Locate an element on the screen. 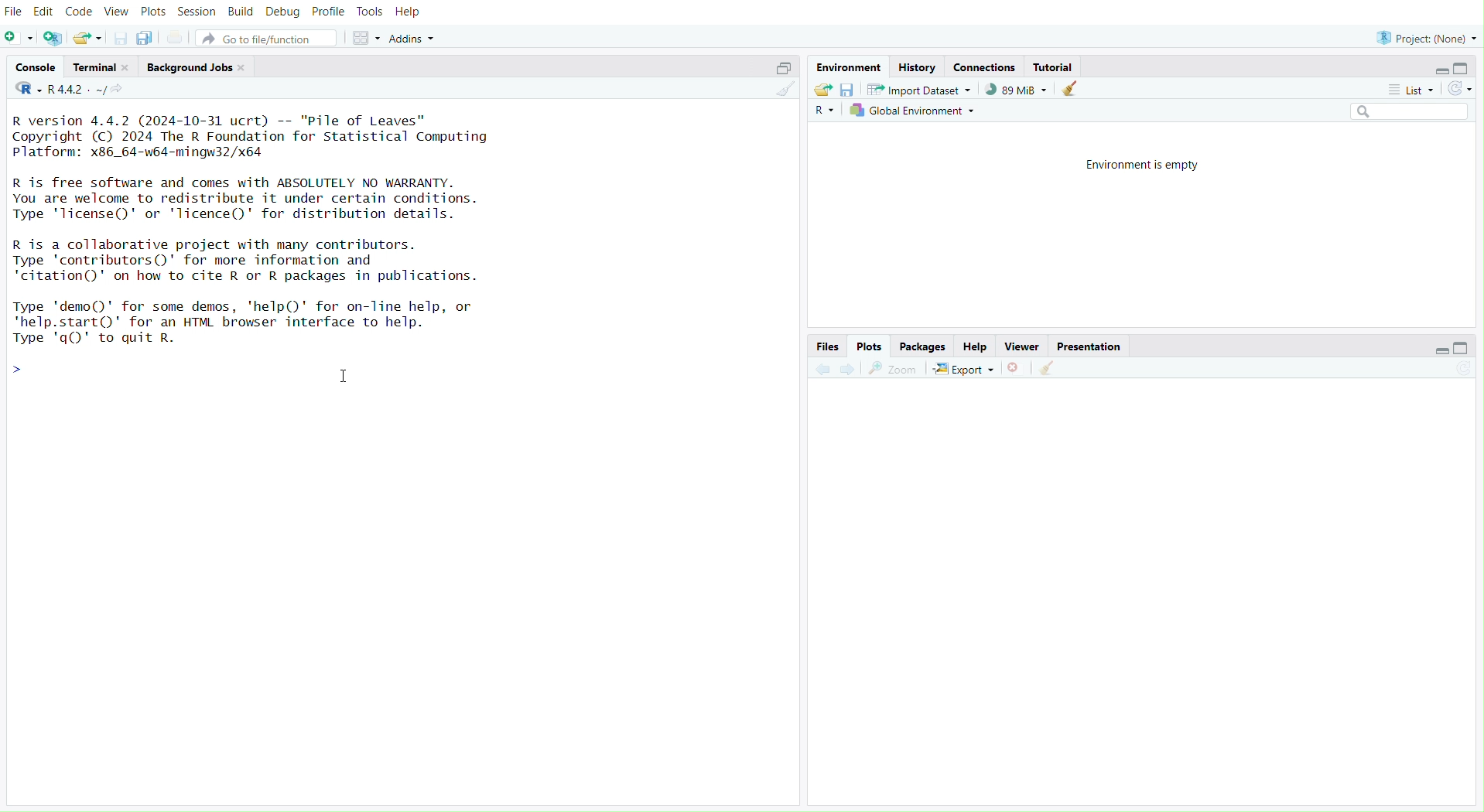  Viewer is located at coordinates (1022, 345).